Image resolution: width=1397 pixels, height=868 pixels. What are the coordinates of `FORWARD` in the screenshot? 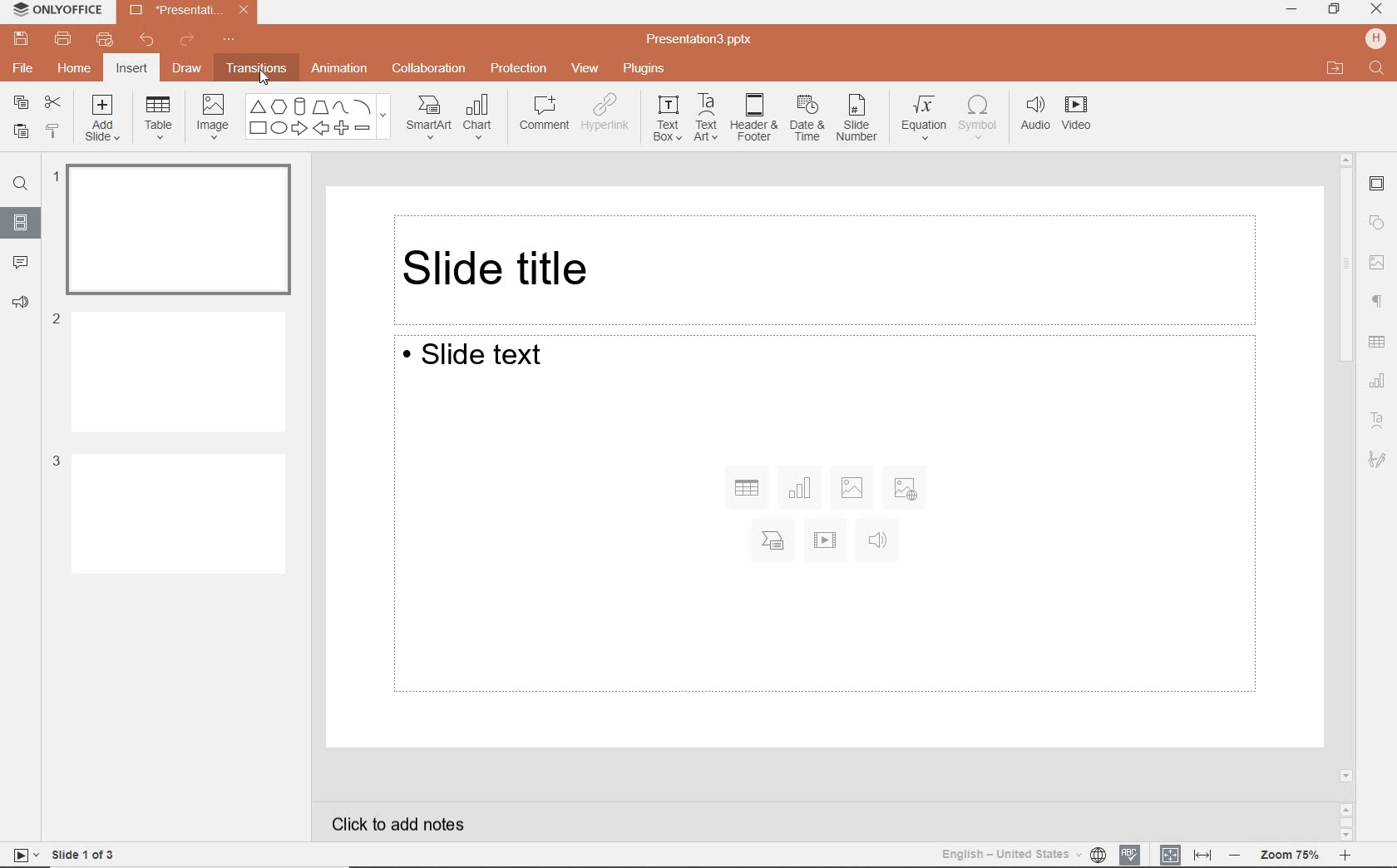 It's located at (299, 127).